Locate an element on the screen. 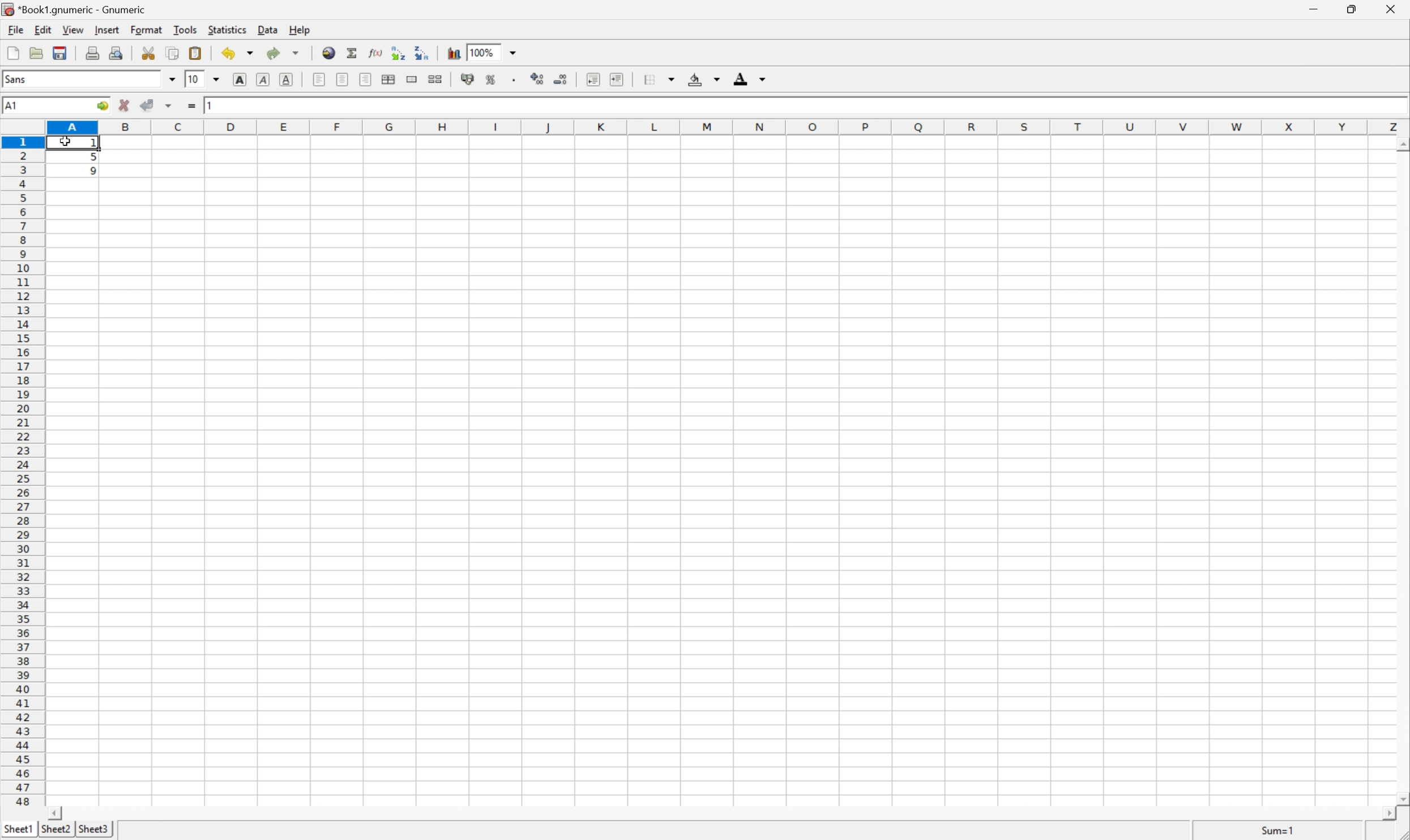  cancel changes is located at coordinates (125, 105).